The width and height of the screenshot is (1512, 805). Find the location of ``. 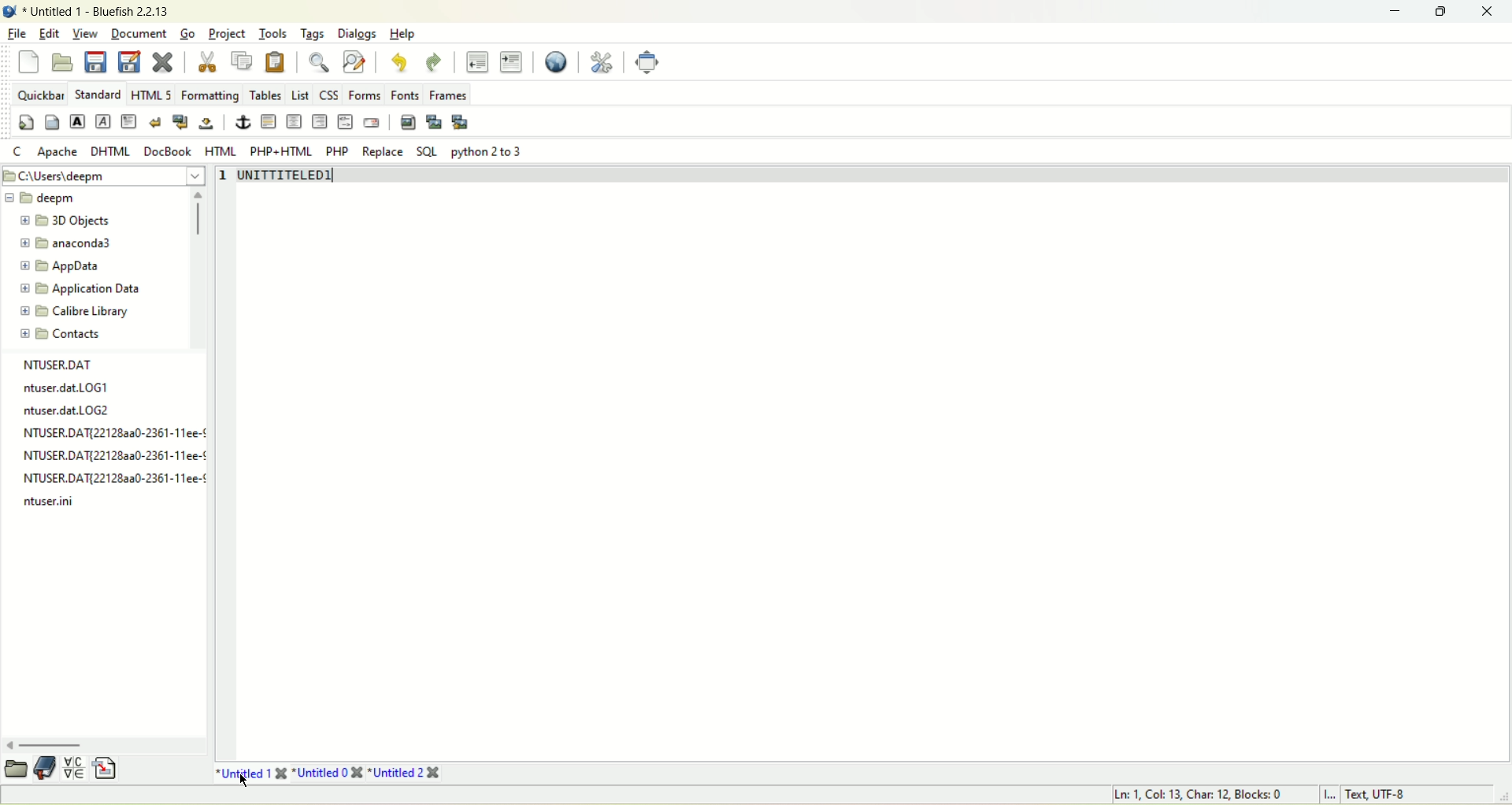

 is located at coordinates (114, 433).